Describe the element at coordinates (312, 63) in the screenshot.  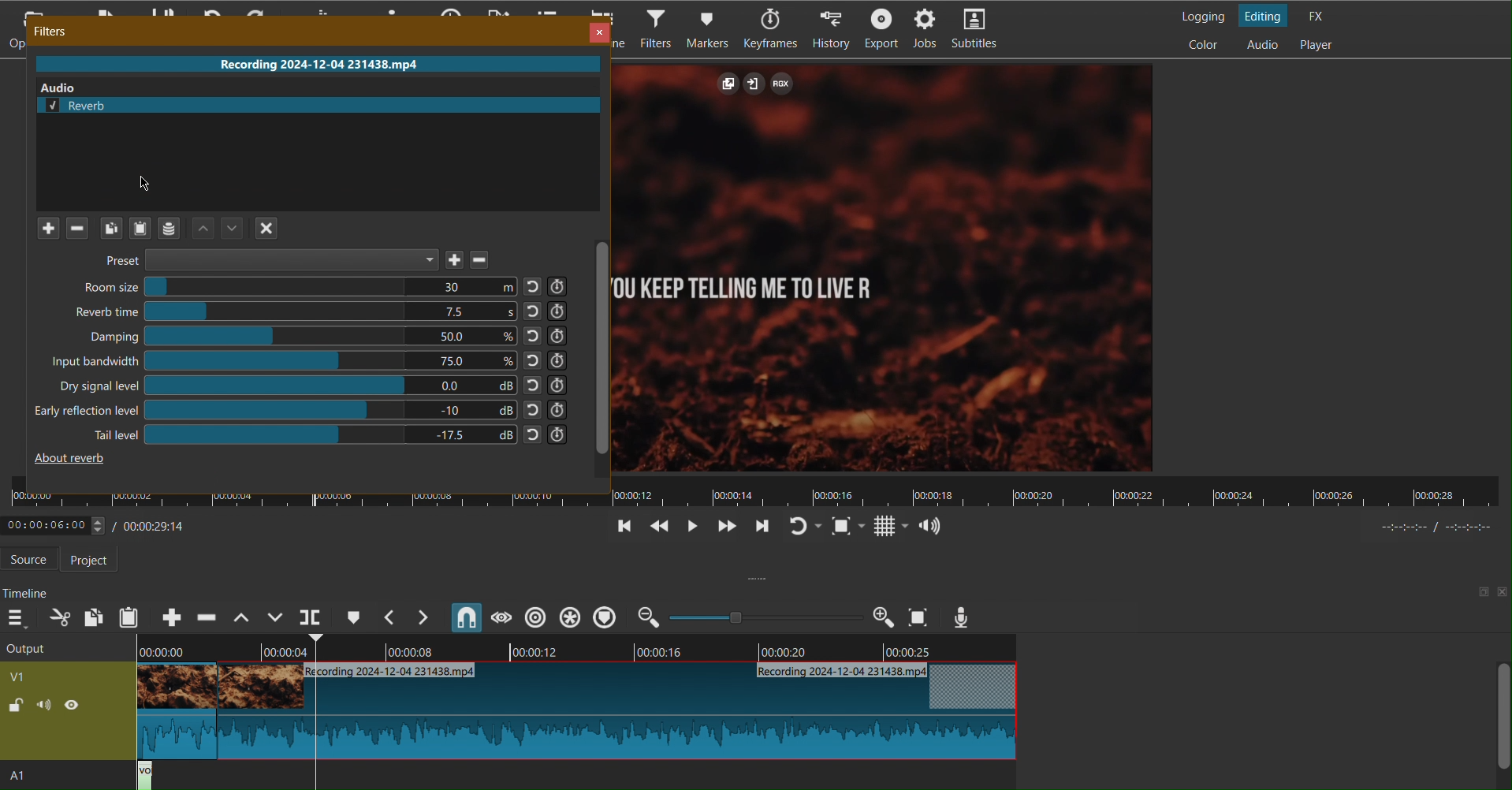
I see `Recording 2024-12-04 231438.mp4` at that location.